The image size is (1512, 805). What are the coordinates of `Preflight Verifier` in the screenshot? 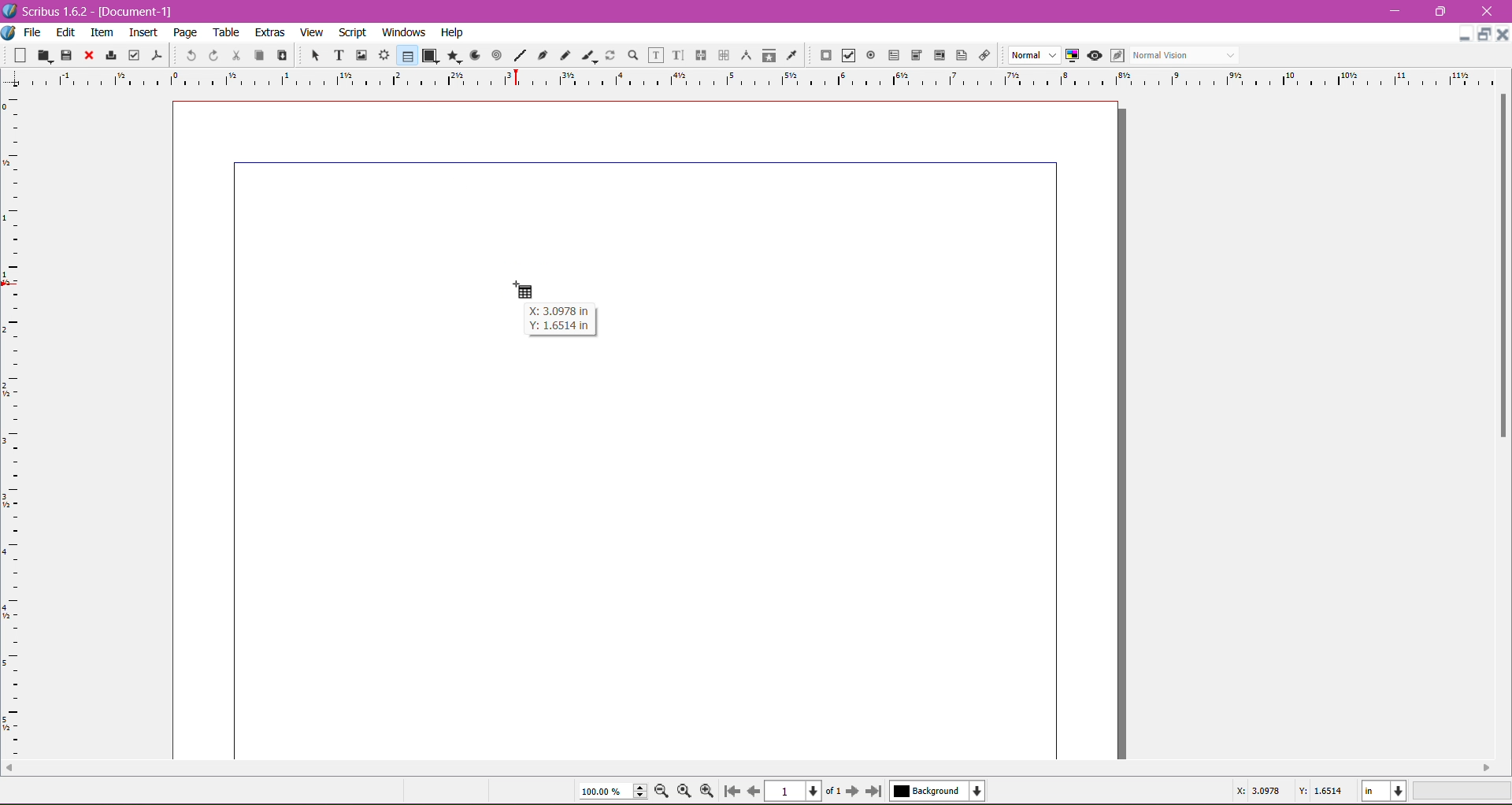 It's located at (134, 52).